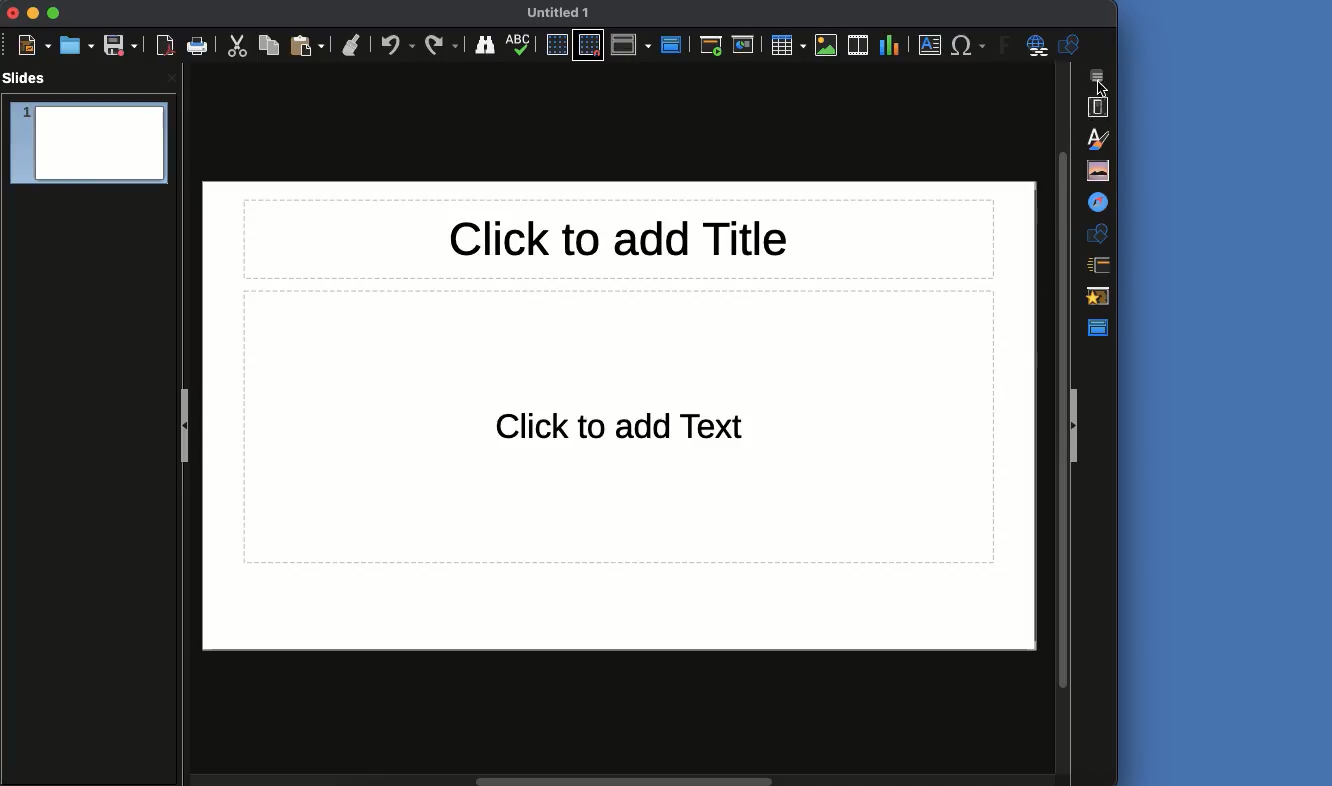  Describe the element at coordinates (558, 44) in the screenshot. I see `Display grid` at that location.